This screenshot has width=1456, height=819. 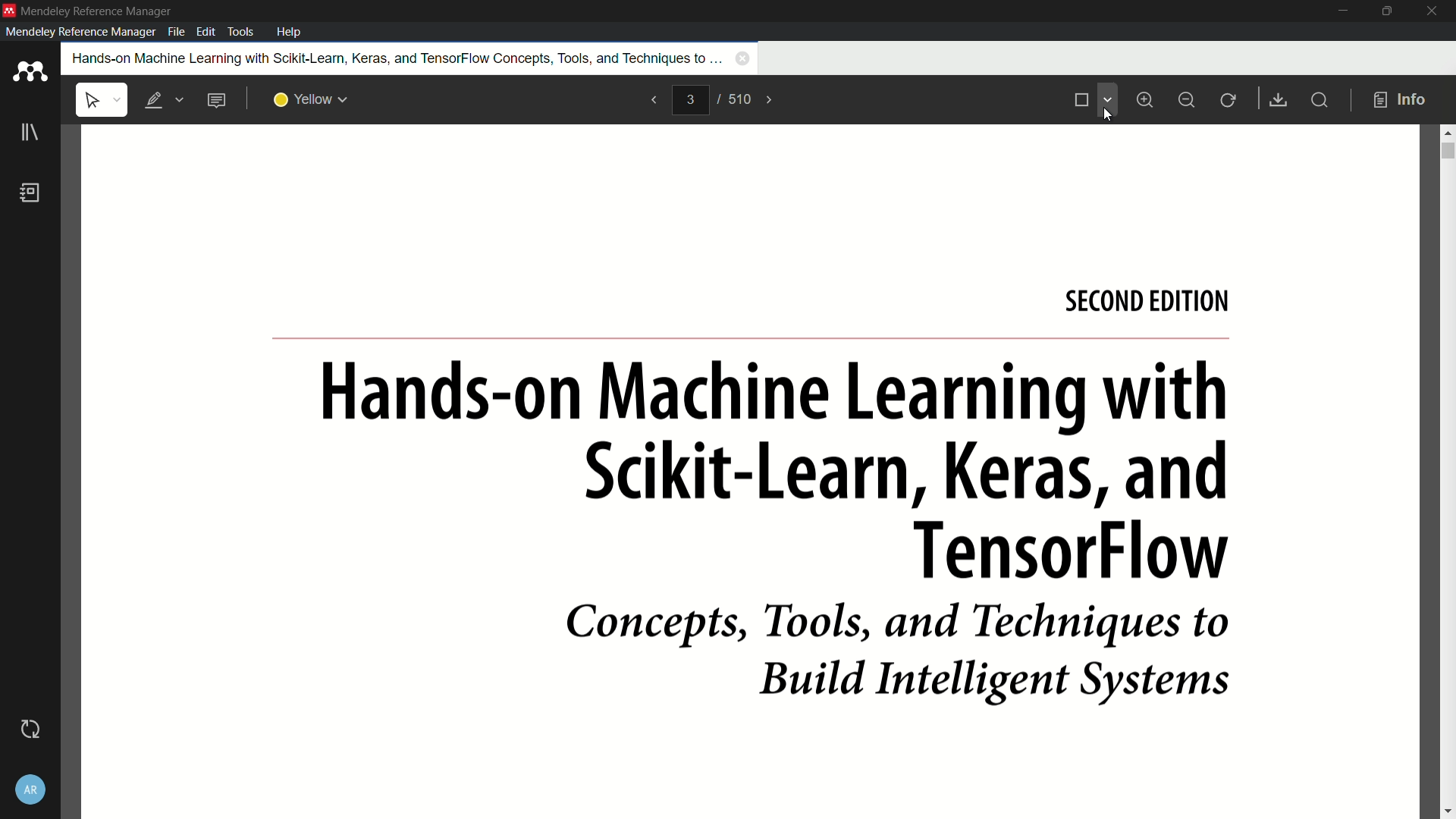 I want to click on account and help, so click(x=36, y=789).